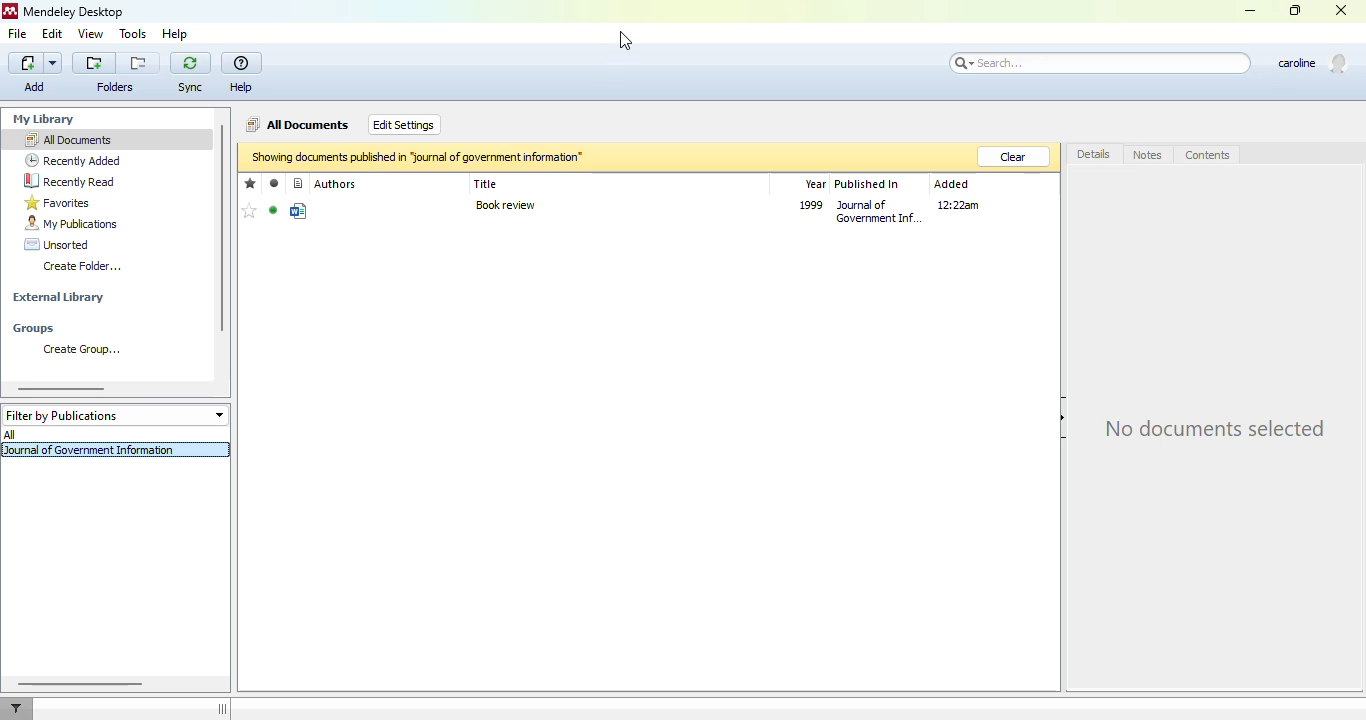 This screenshot has height=720, width=1366. Describe the element at coordinates (68, 139) in the screenshot. I see `all documents` at that location.